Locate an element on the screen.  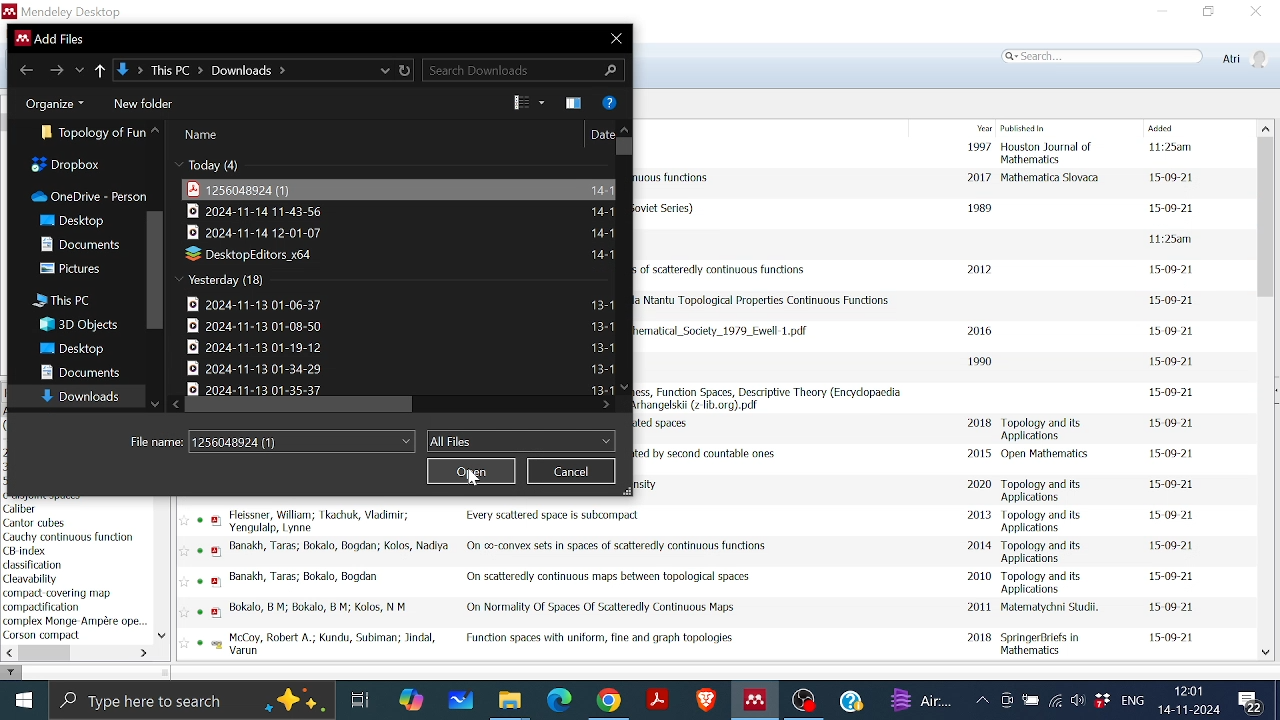
File is located at coordinates (601, 254).